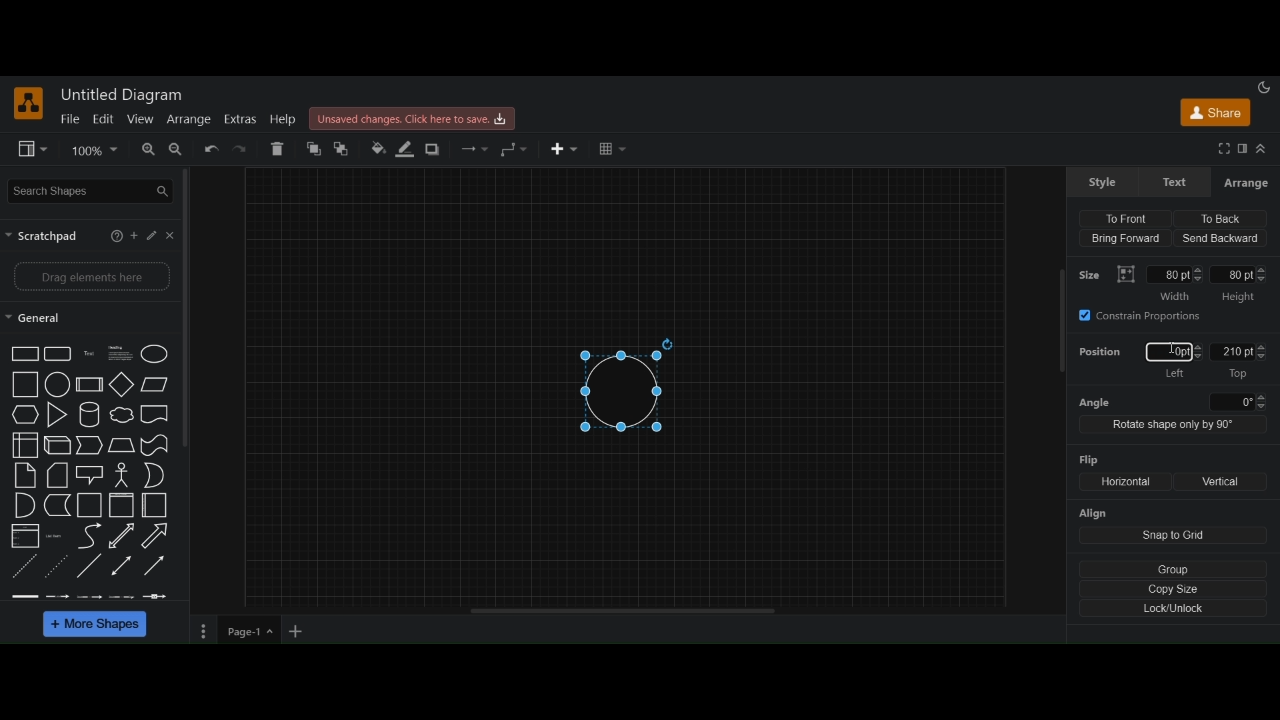  I want to click on arrow, so click(90, 445).